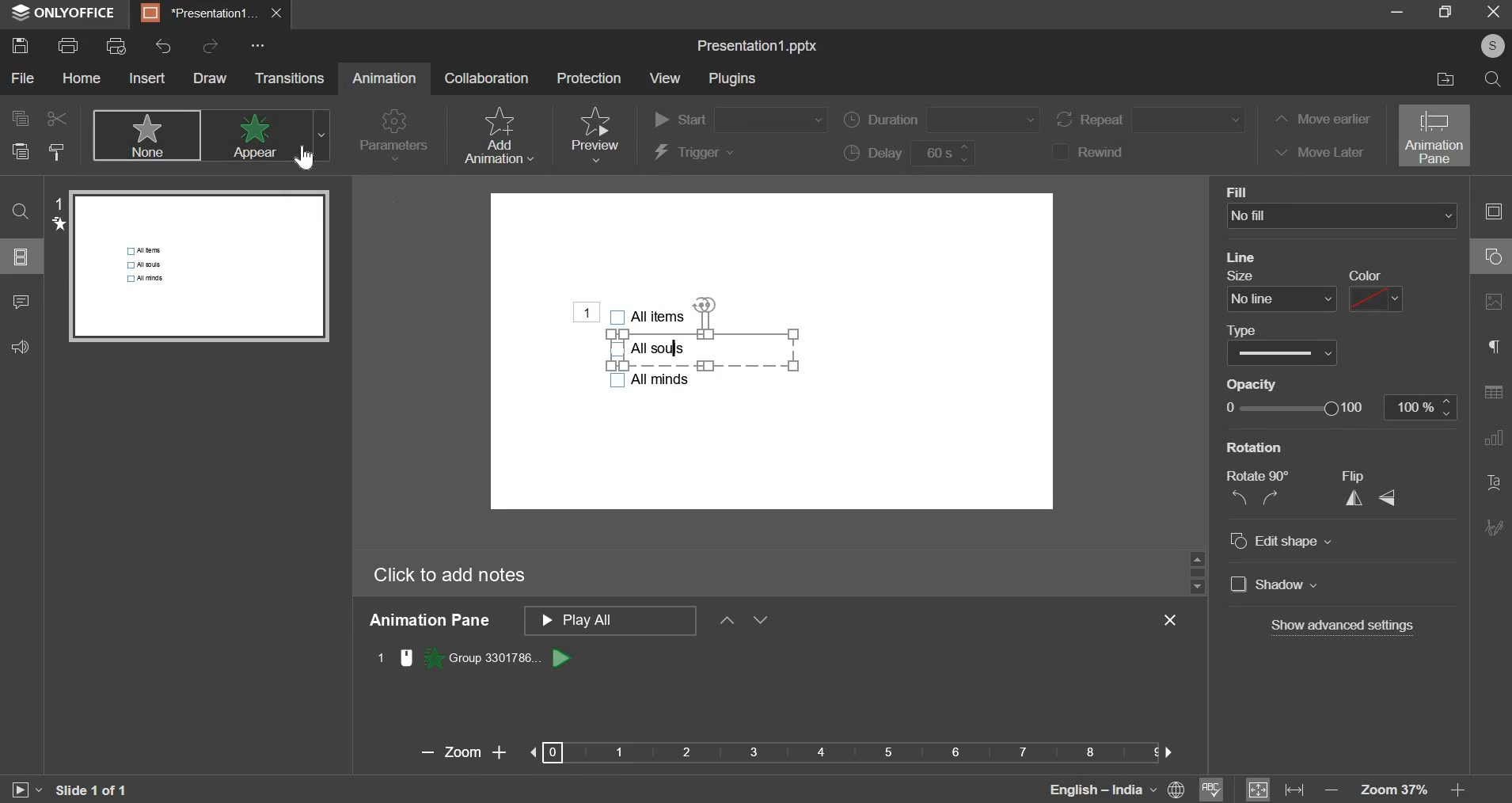 Image resolution: width=1512 pixels, height=803 pixels. I want to click on line size, so click(1281, 299).